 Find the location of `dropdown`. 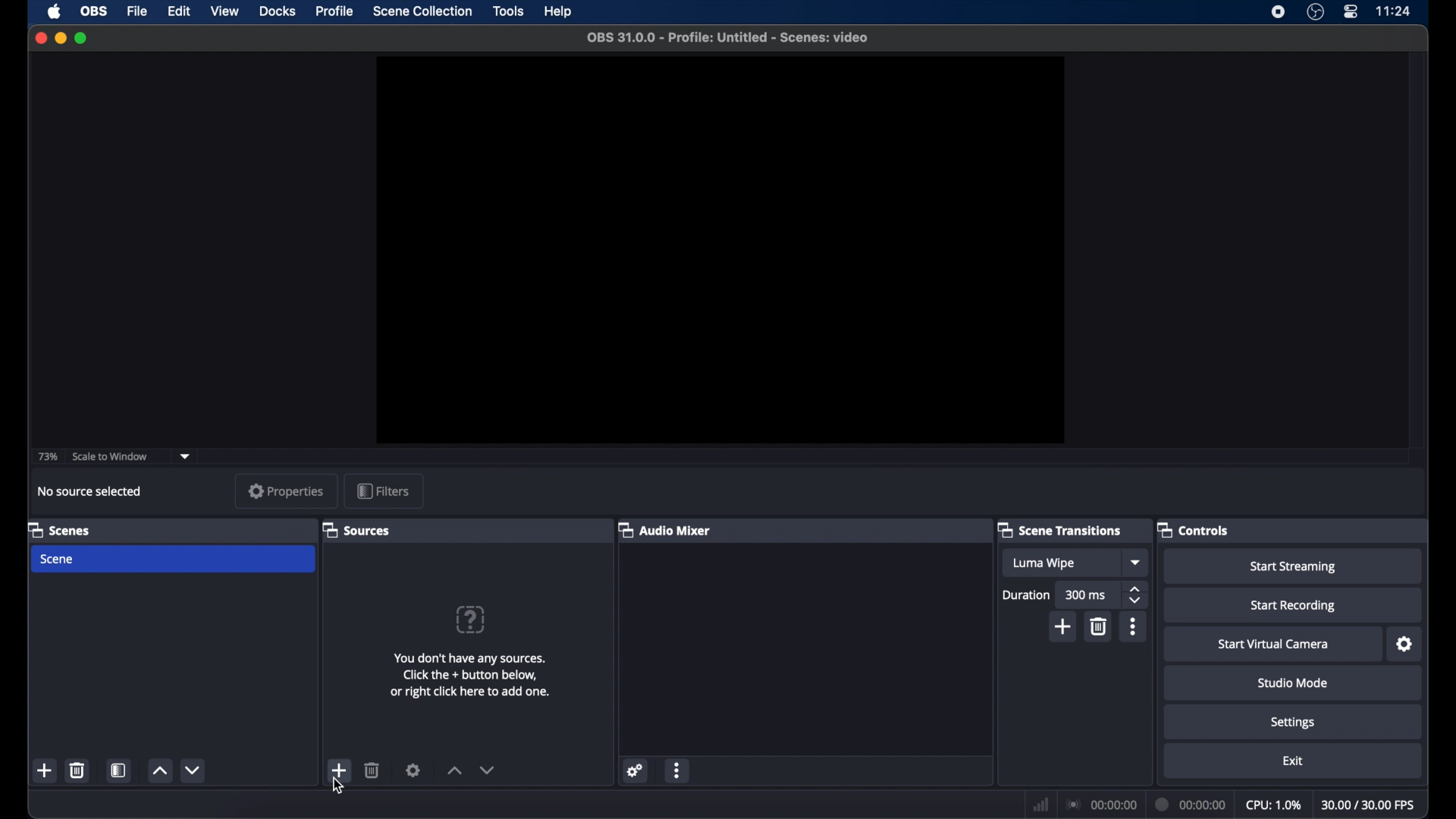

dropdown is located at coordinates (186, 457).